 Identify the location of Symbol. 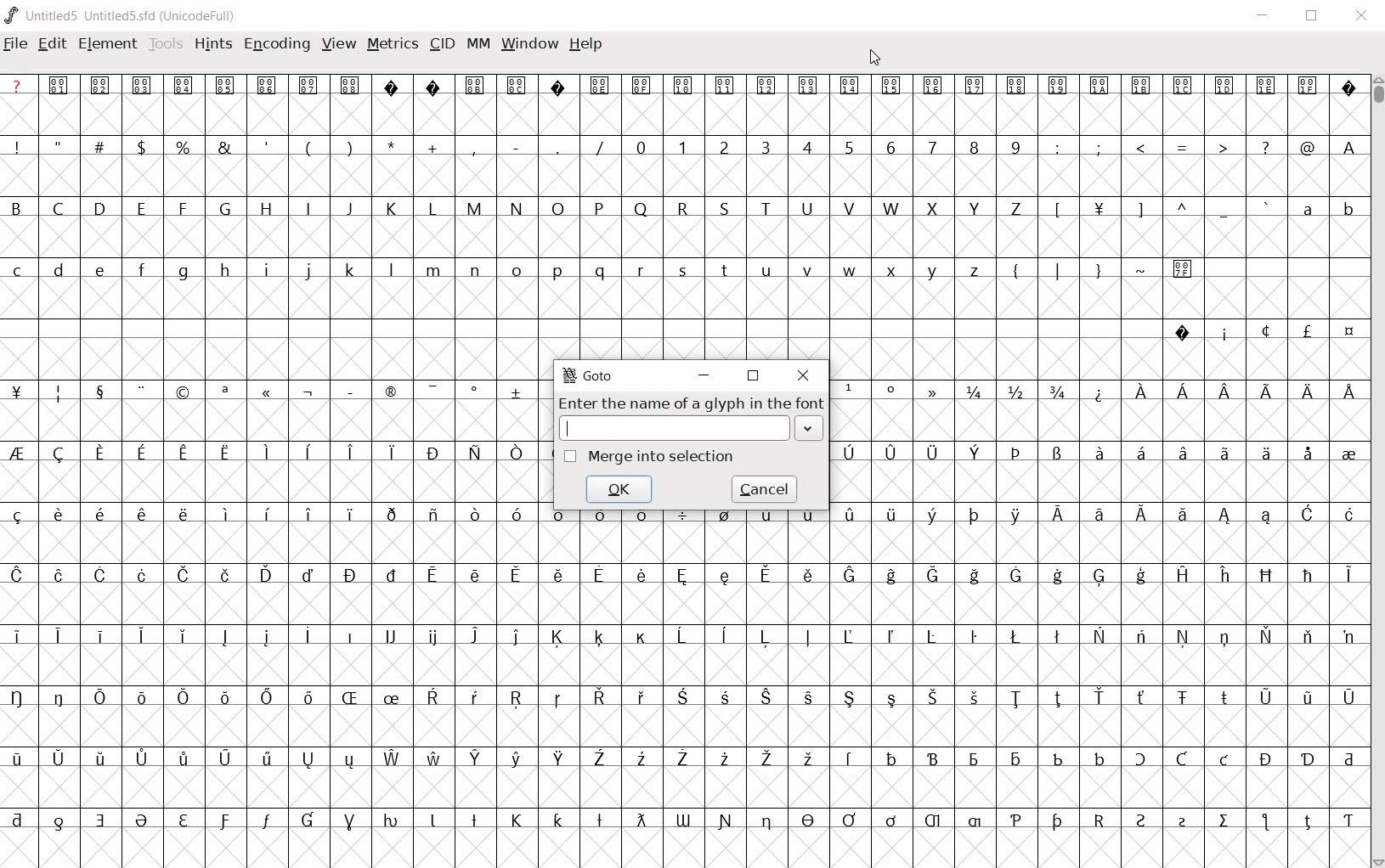
(683, 520).